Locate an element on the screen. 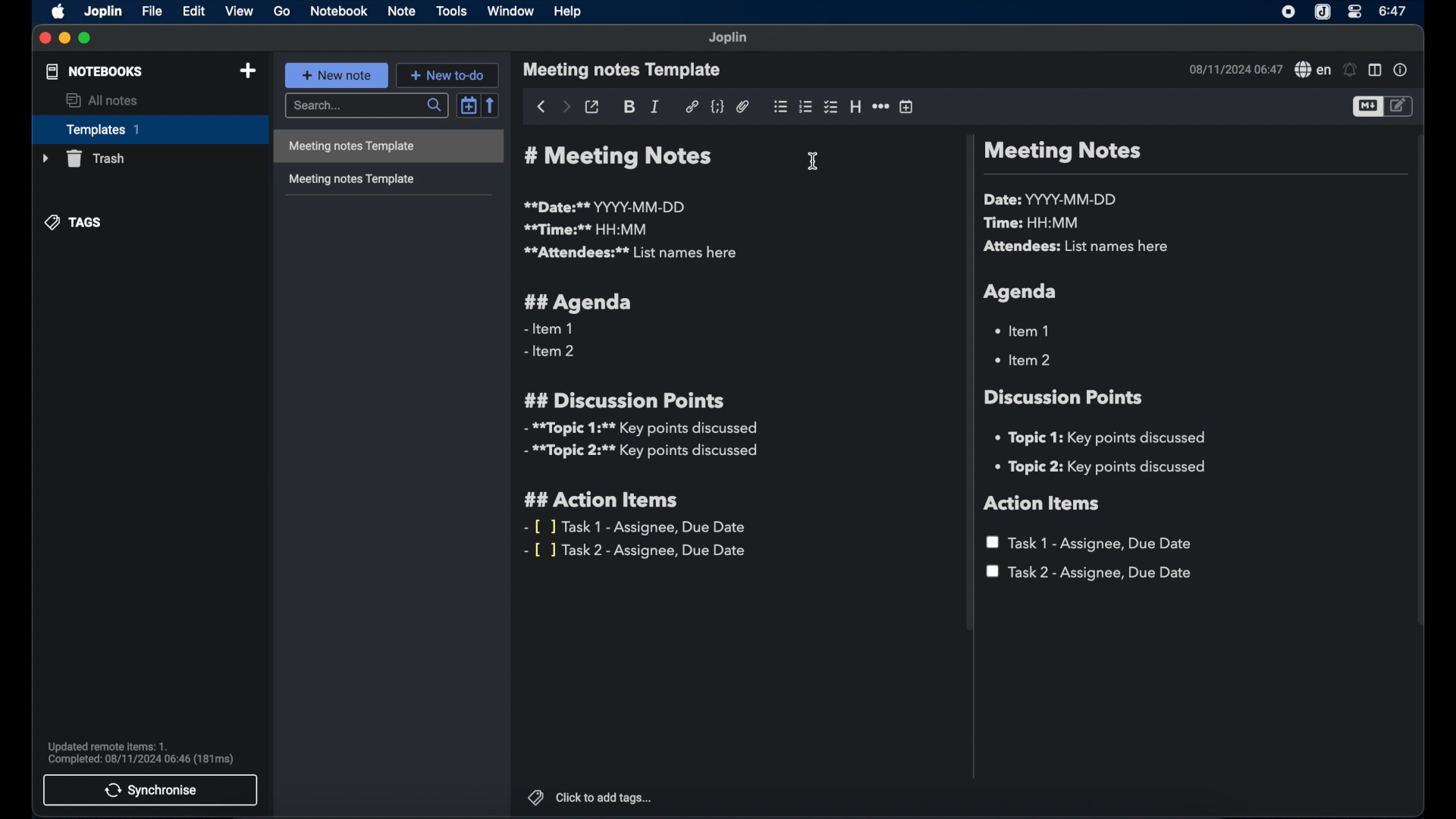 The width and height of the screenshot is (1456, 819). toggle editor layout is located at coordinates (1375, 71).